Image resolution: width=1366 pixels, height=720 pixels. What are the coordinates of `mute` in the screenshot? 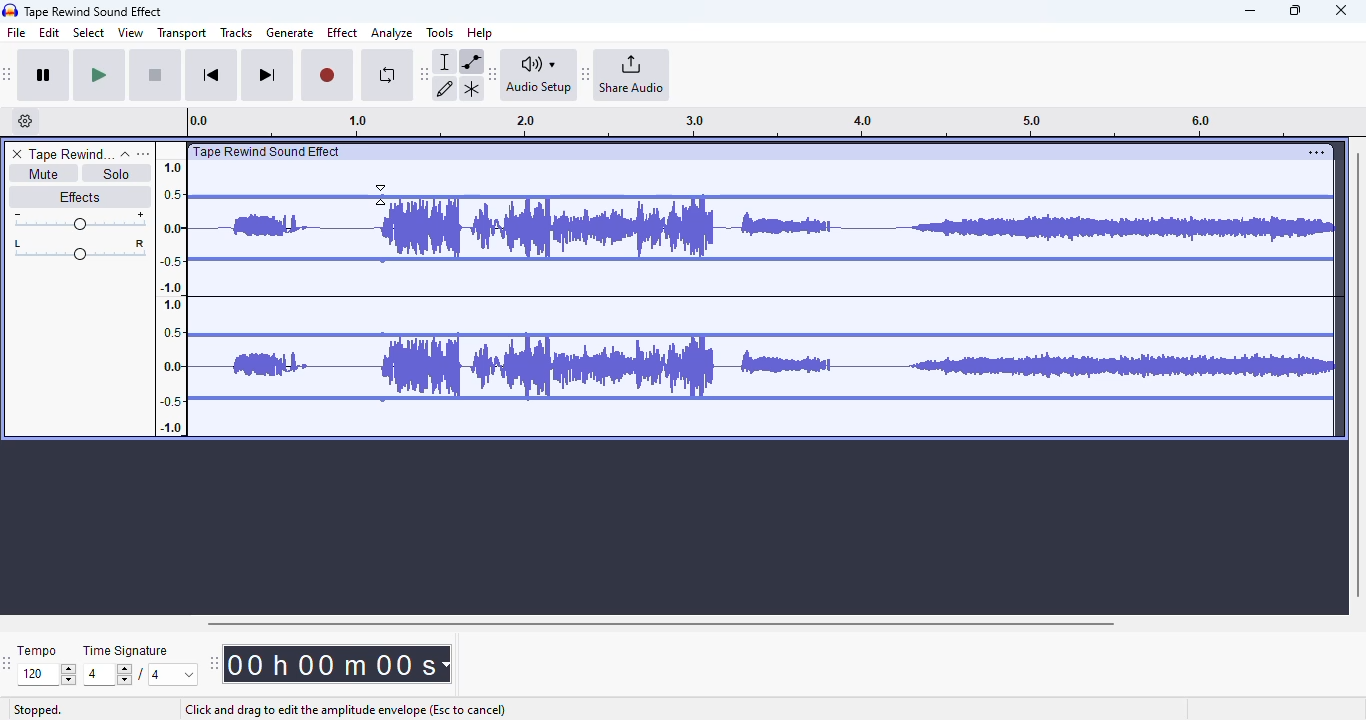 It's located at (42, 174).